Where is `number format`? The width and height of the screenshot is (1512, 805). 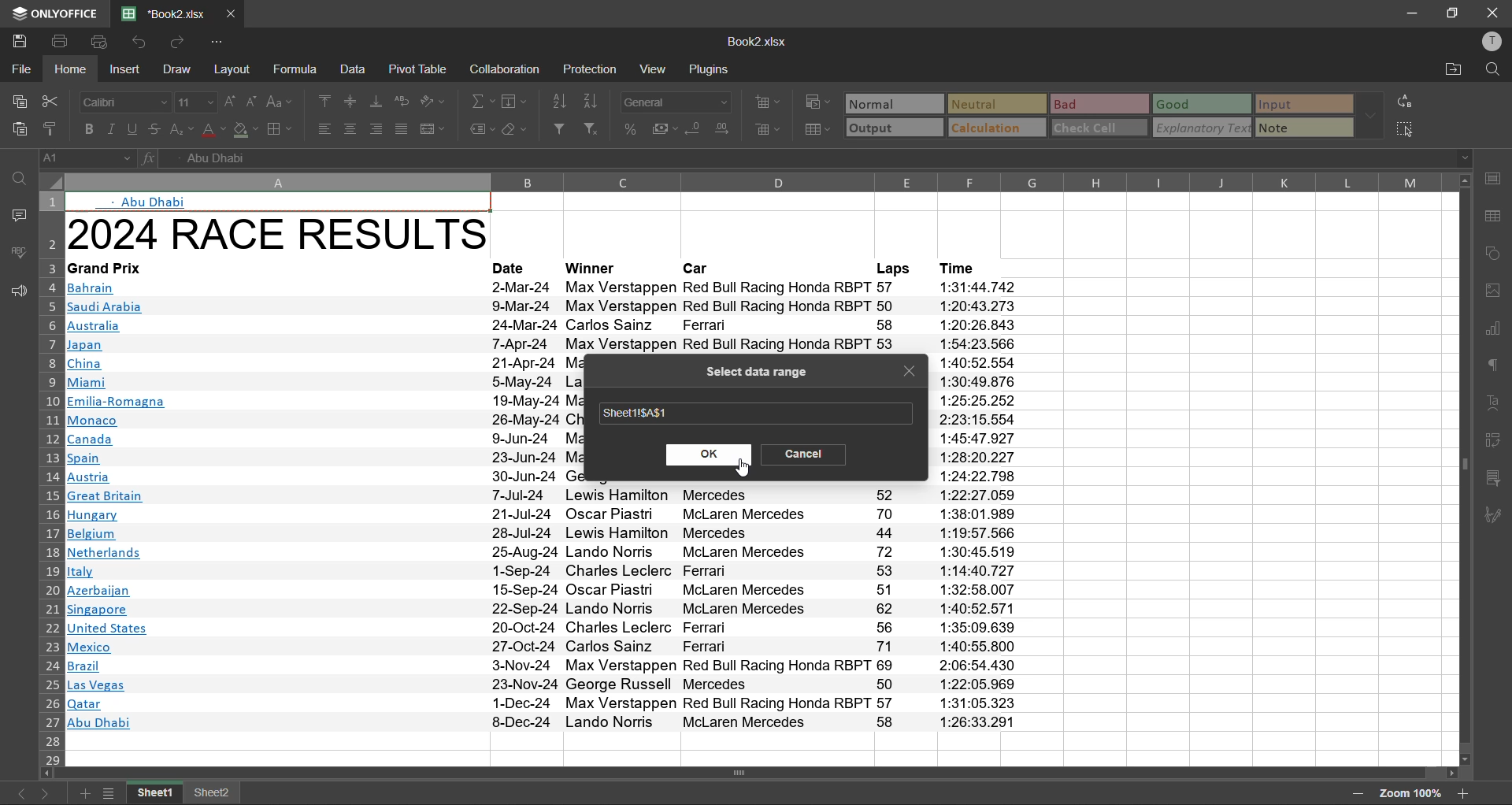 number format is located at coordinates (677, 102).